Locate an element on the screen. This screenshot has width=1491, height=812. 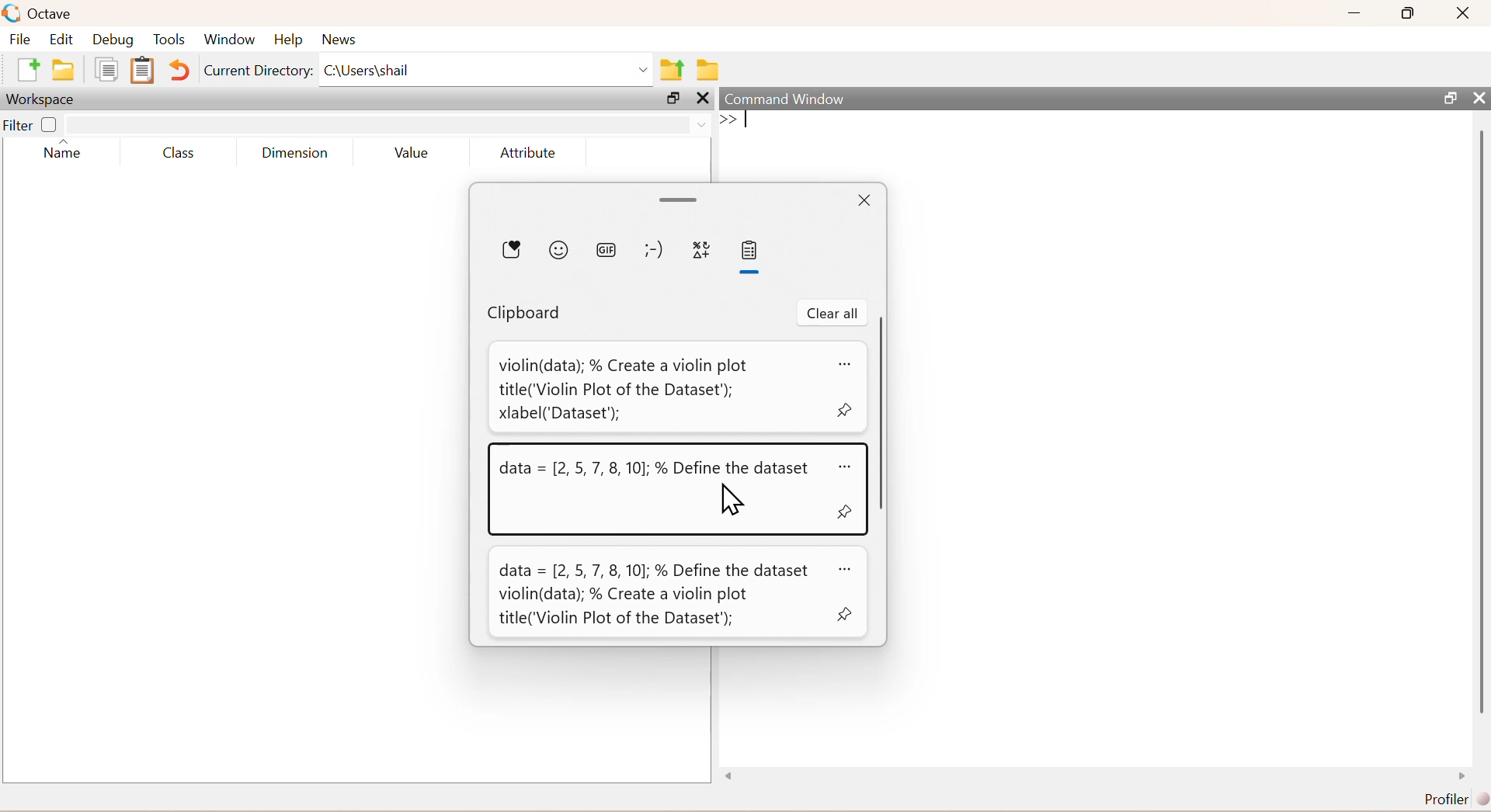
violin(data); % Create a violin plot
title('Violin Plot of the Dataset);
xlabel('Dataset’); is located at coordinates (624, 389).